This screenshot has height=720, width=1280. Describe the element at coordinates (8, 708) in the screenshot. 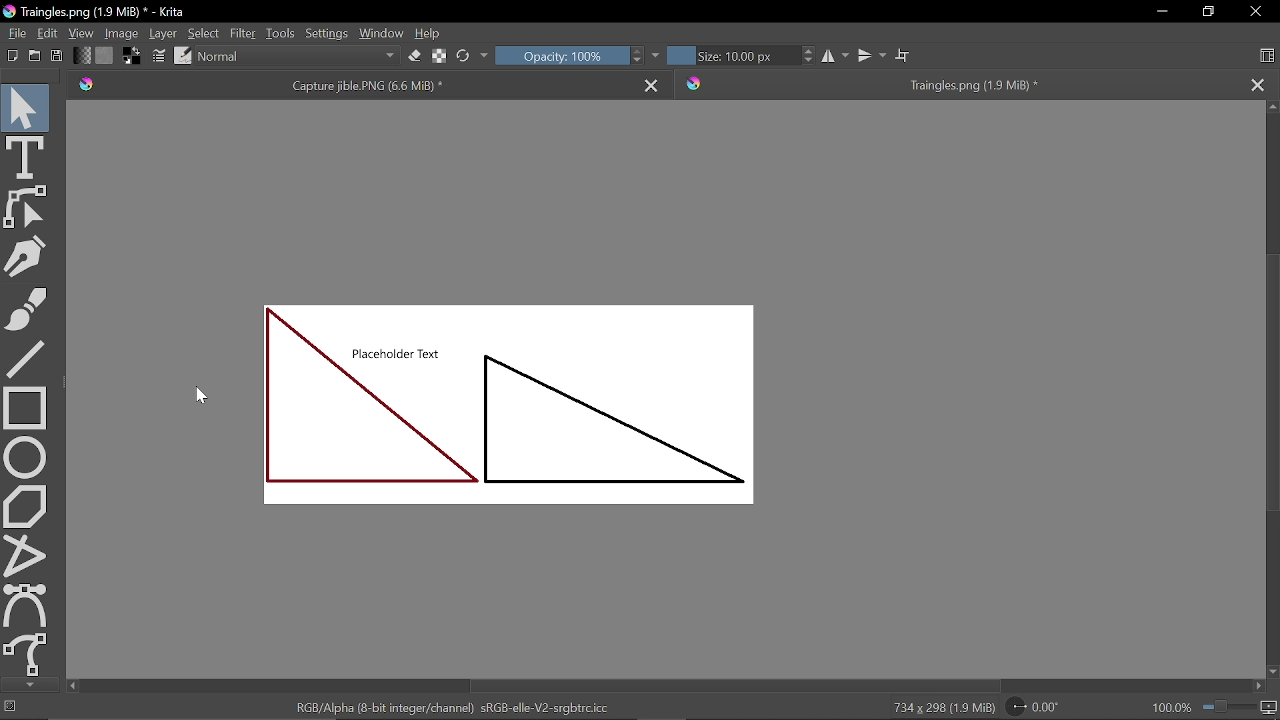

I see `No selection` at that location.